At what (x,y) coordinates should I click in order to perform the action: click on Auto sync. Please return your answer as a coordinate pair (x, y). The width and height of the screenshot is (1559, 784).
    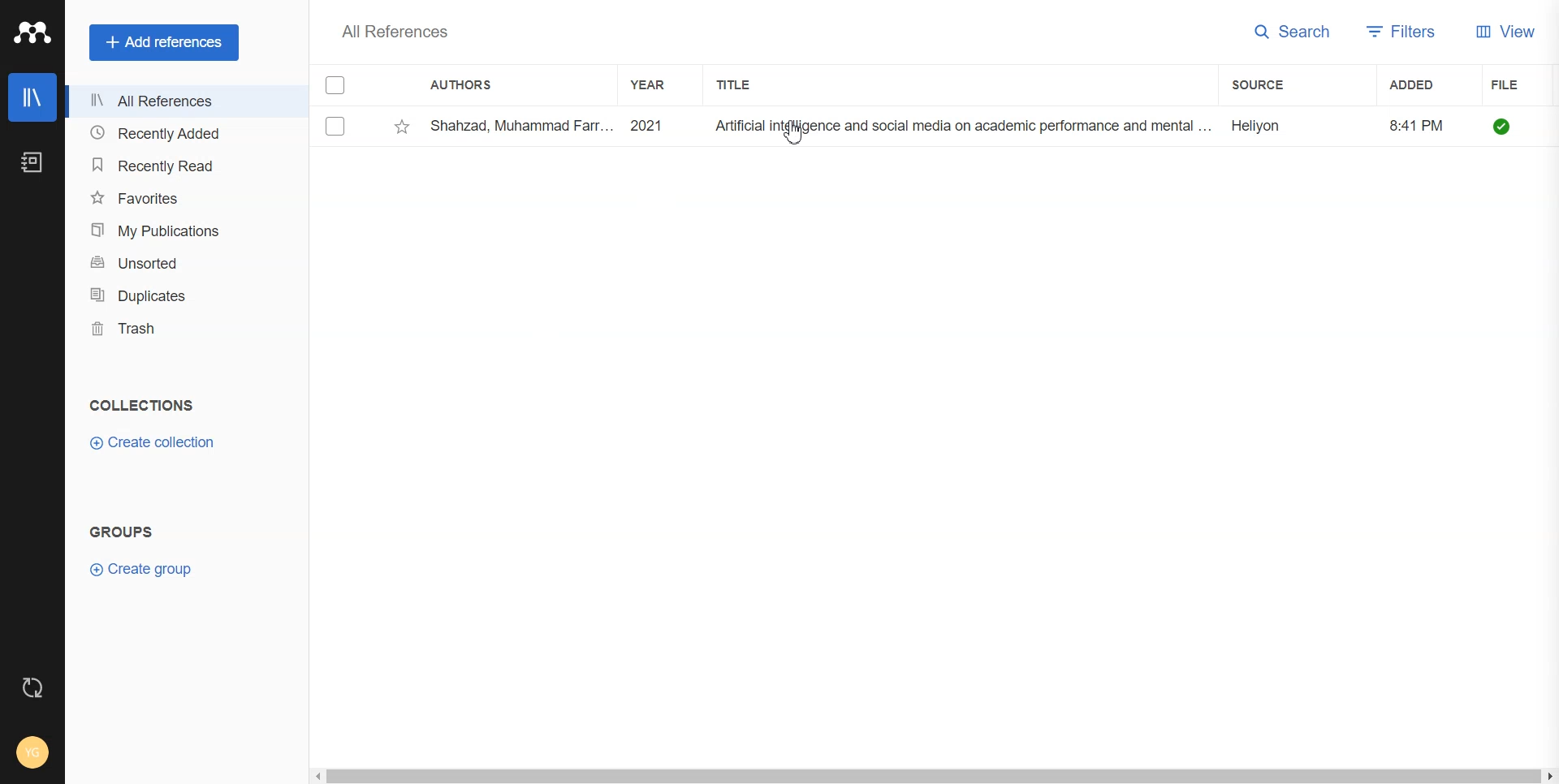
    Looking at the image, I should click on (35, 688).